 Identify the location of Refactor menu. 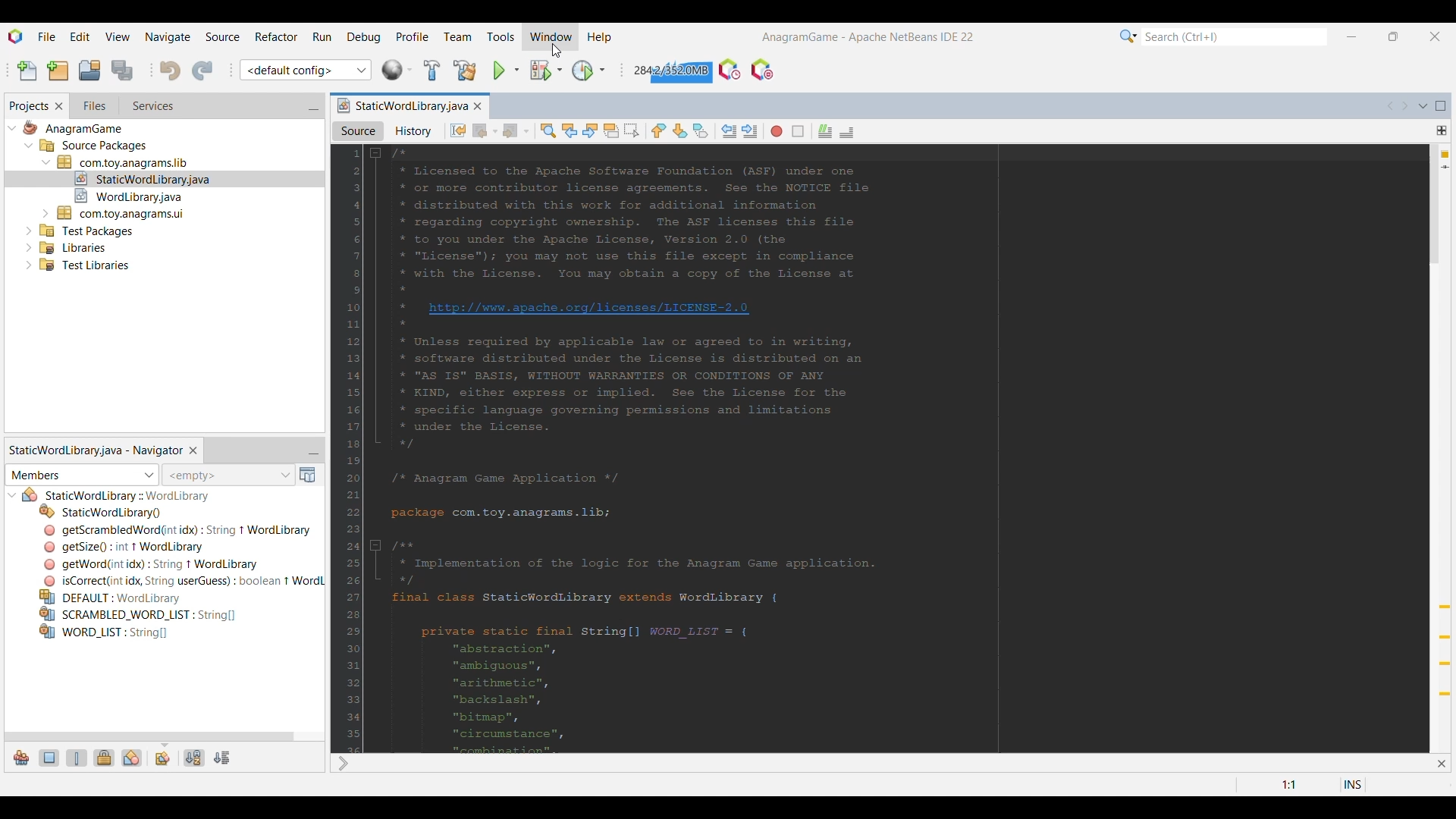
(276, 36).